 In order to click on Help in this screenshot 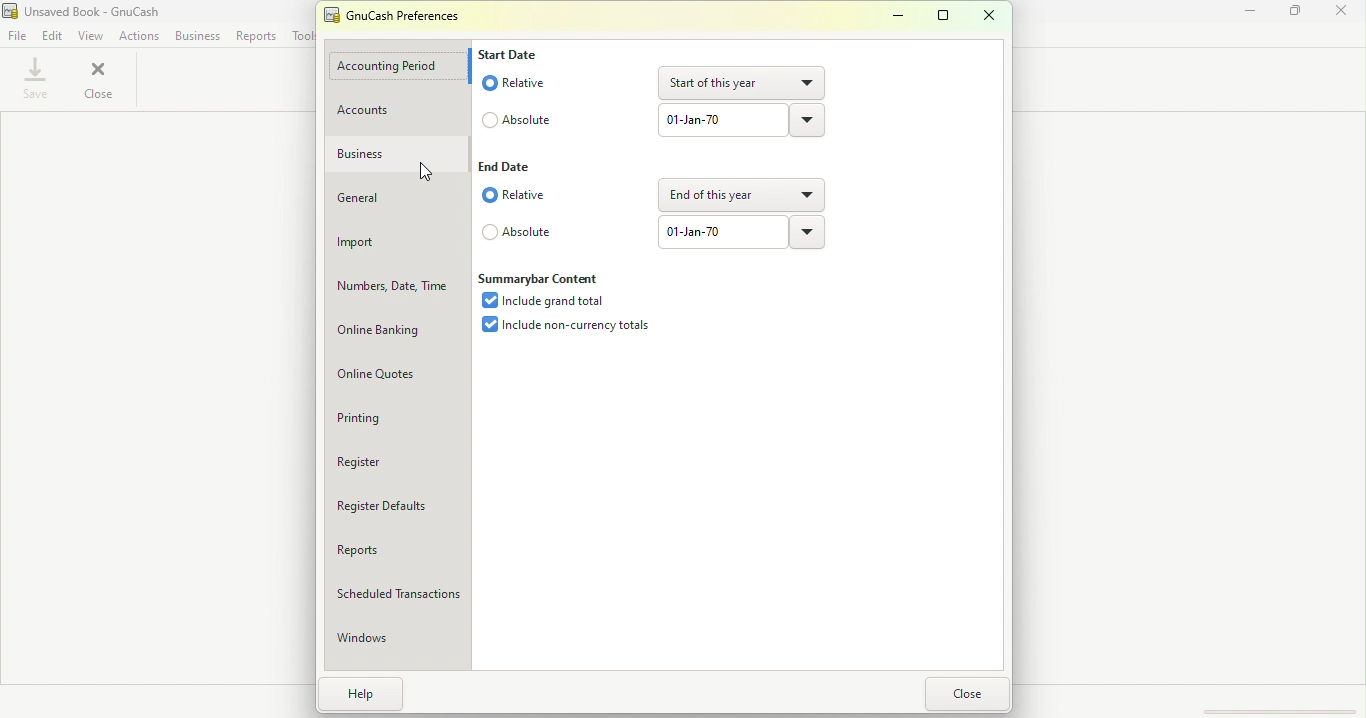, I will do `click(363, 694)`.